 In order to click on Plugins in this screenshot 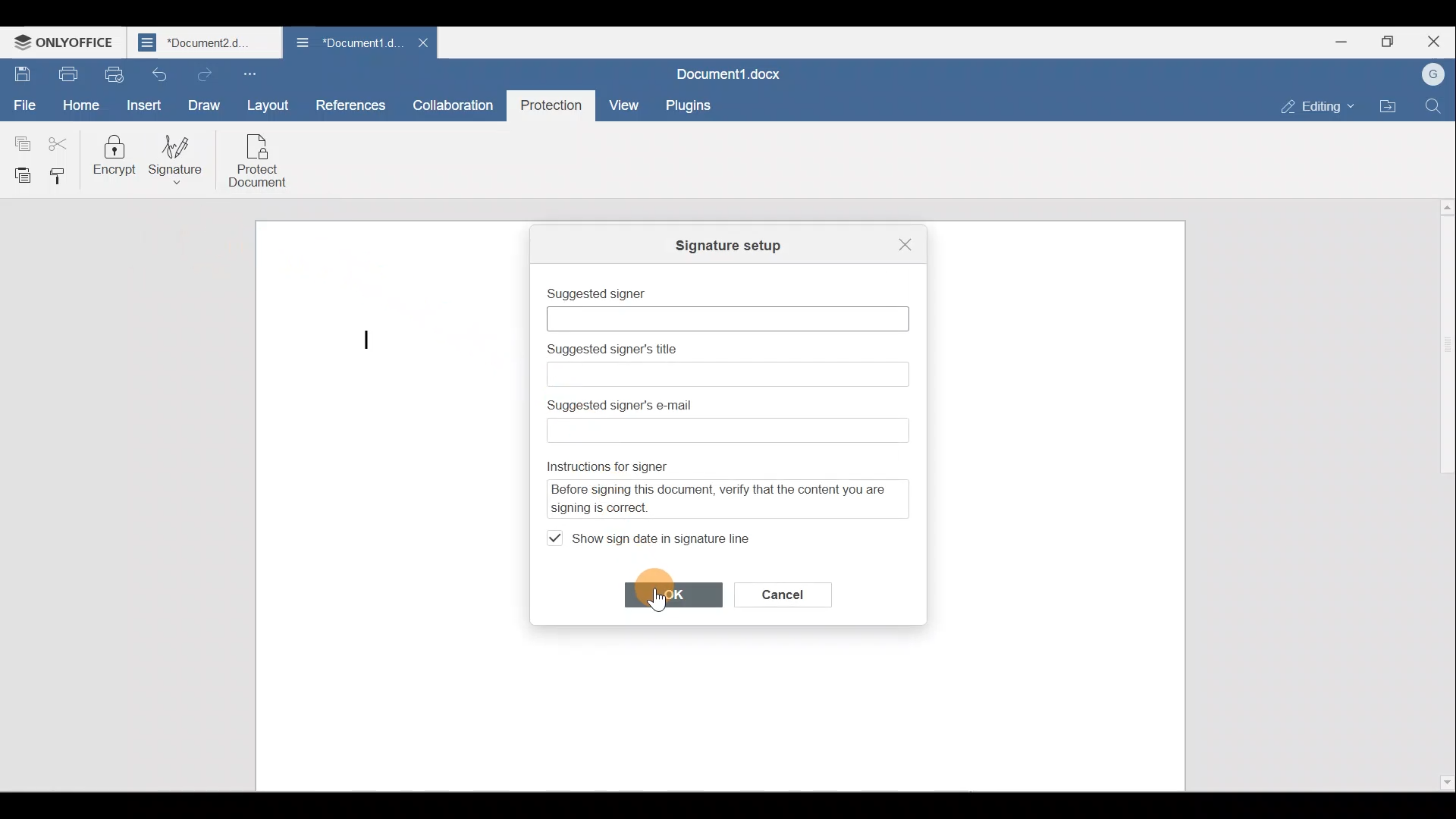, I will do `click(688, 105)`.